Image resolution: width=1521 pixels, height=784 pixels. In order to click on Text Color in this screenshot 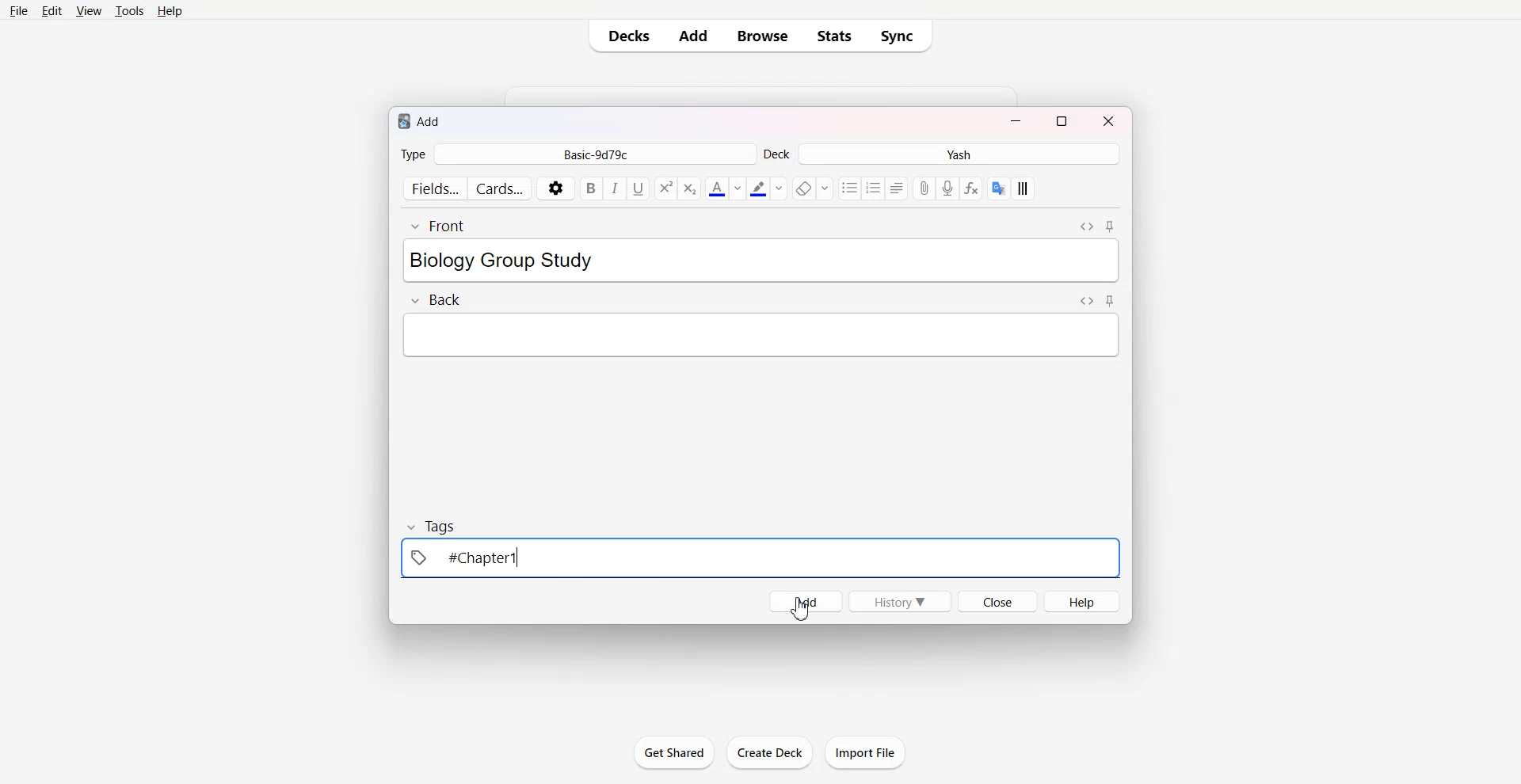, I will do `click(724, 188)`.